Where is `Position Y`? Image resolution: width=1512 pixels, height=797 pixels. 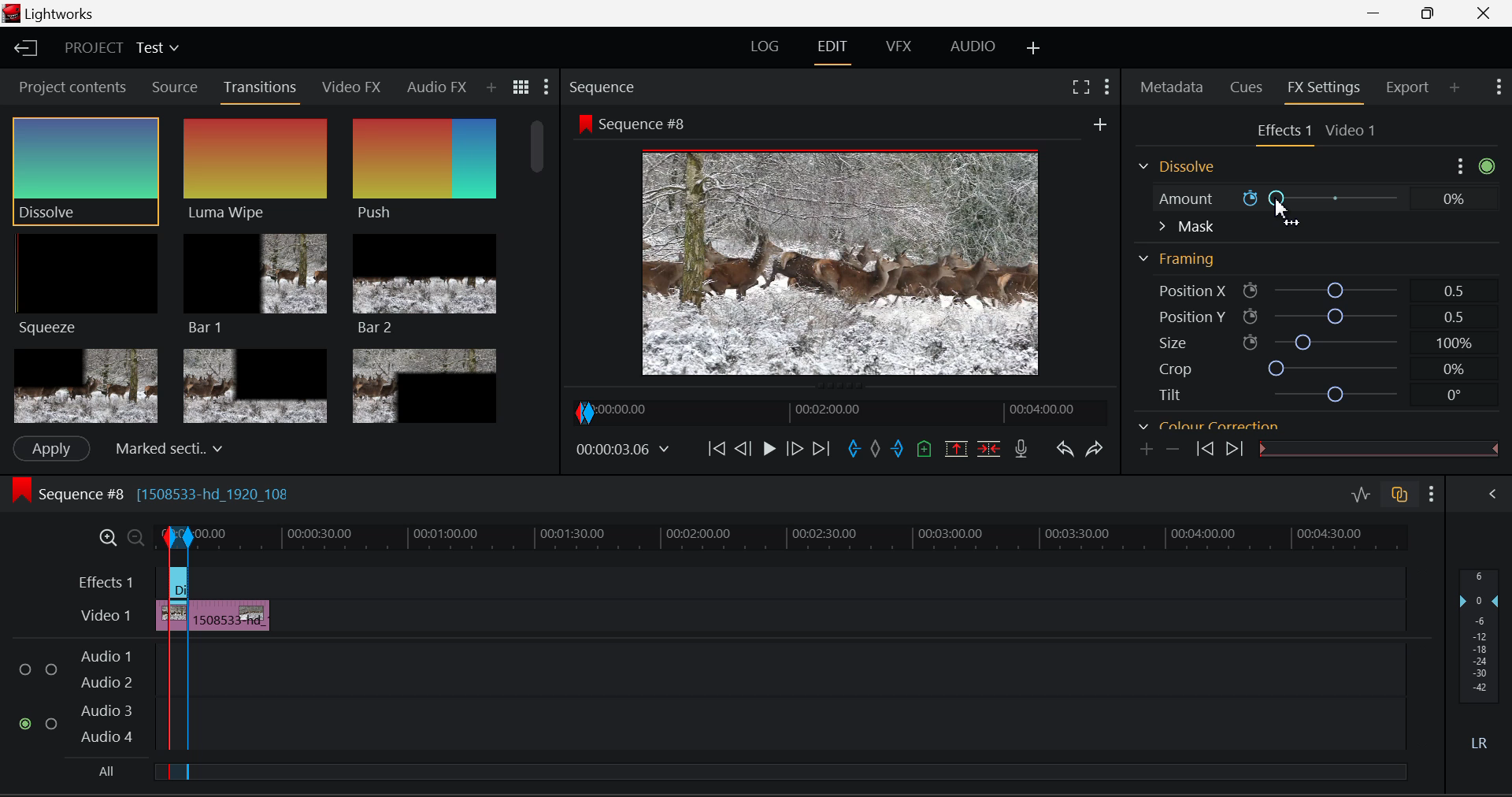 Position Y is located at coordinates (1309, 316).